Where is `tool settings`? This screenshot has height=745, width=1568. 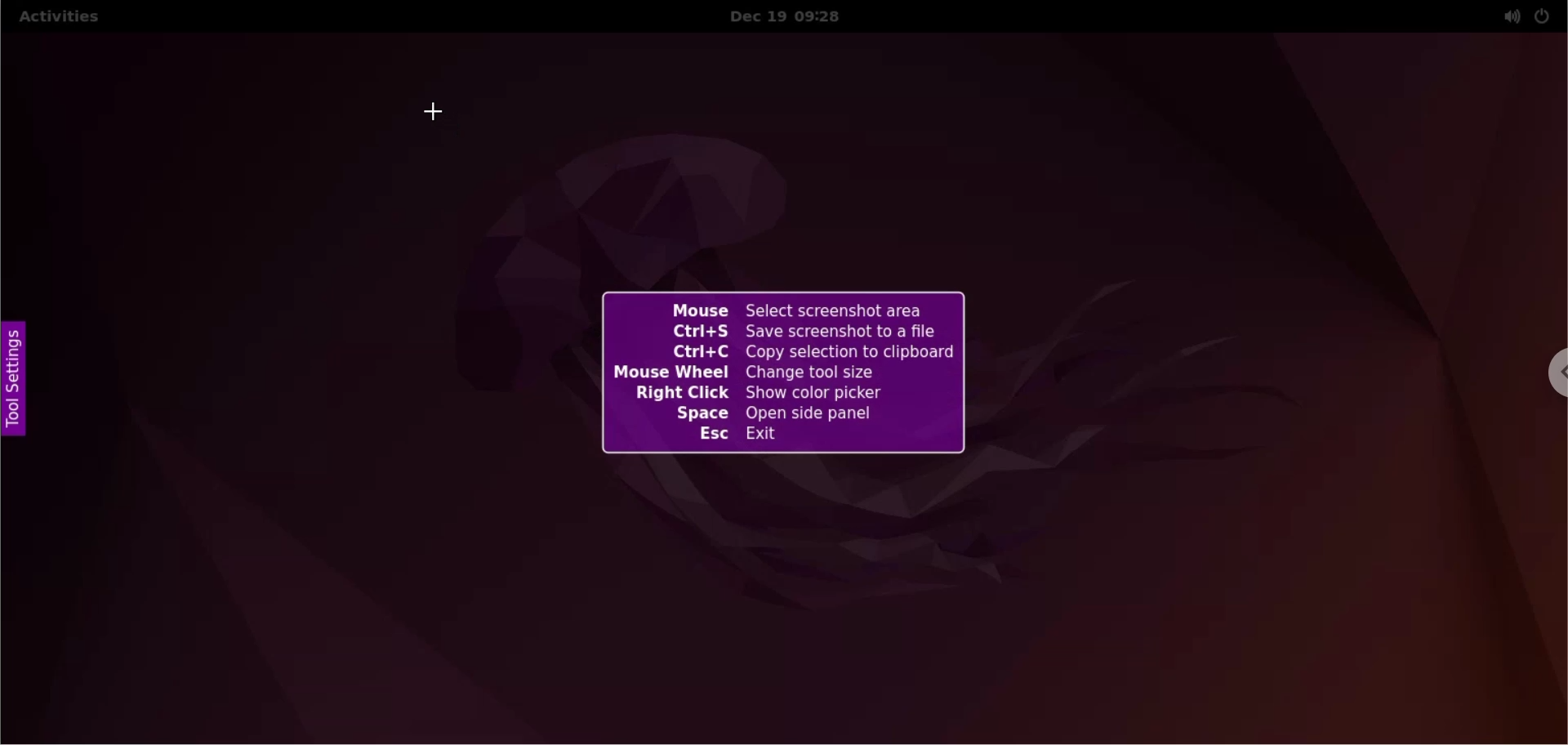
tool settings is located at coordinates (19, 384).